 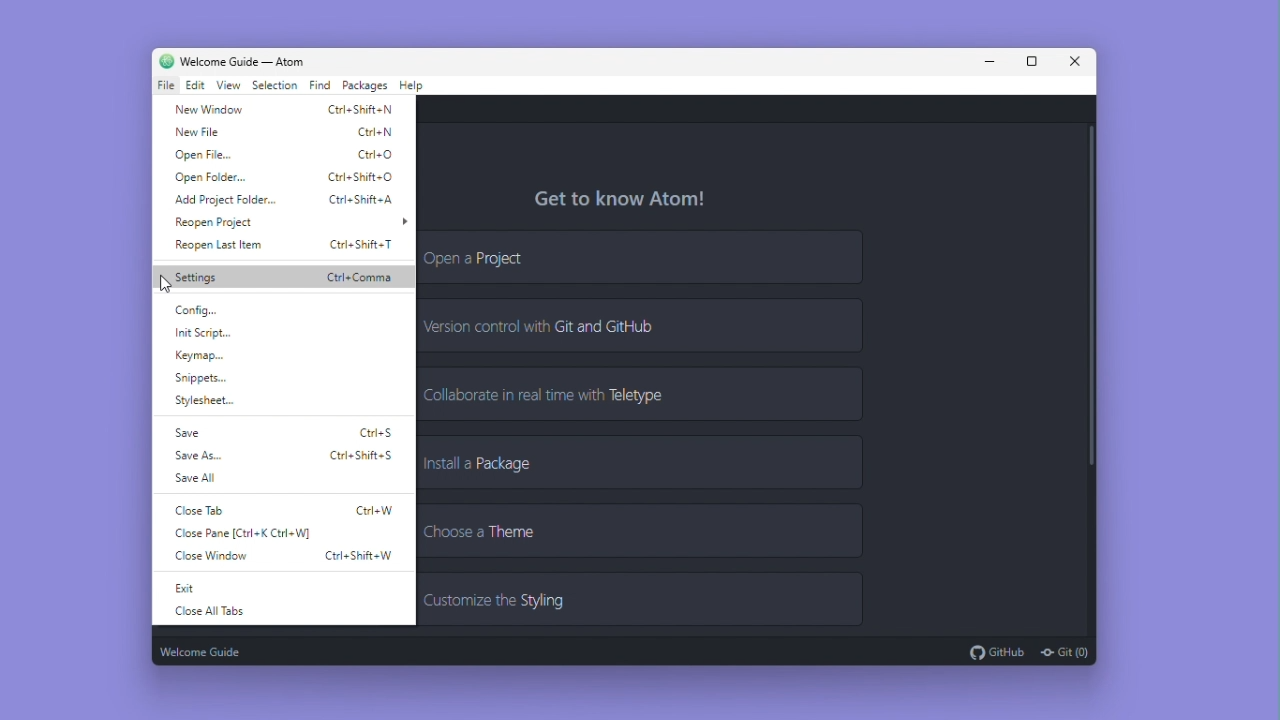 I want to click on Keymap, so click(x=202, y=356).